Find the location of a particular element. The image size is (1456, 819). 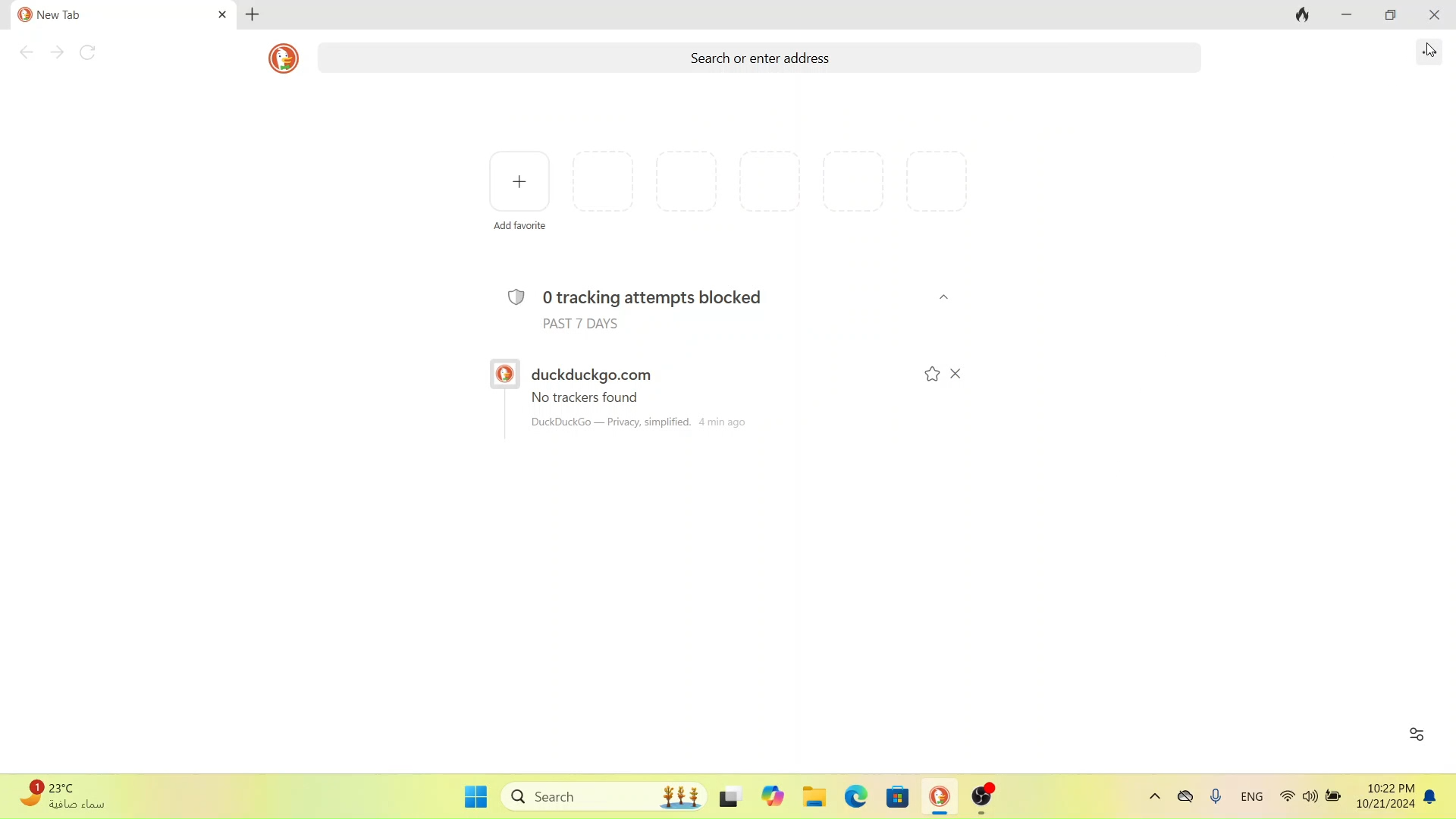

time and date is located at coordinates (1384, 799).